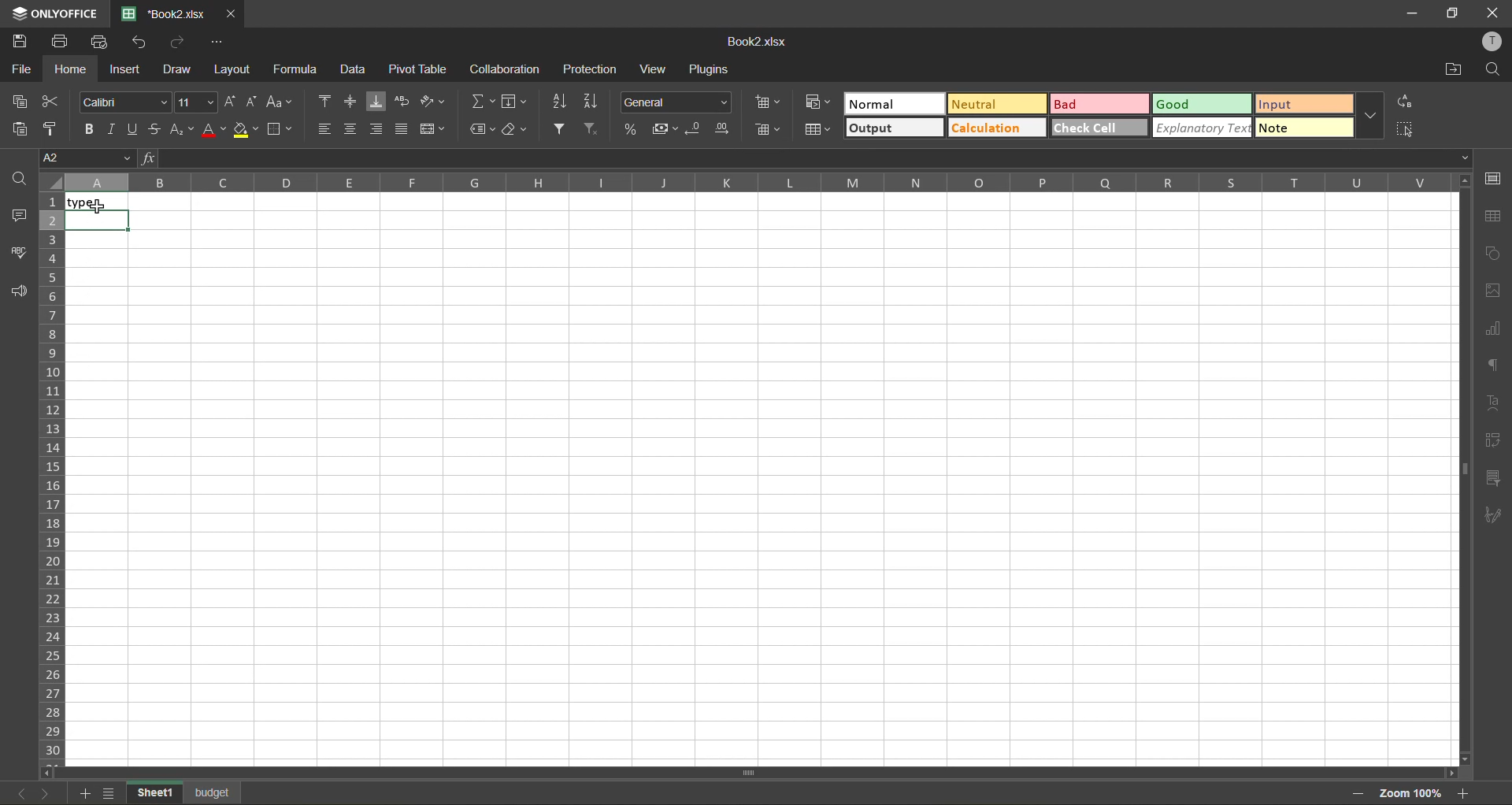 The image size is (1512, 805). What do you see at coordinates (101, 208) in the screenshot?
I see `cursor` at bounding box center [101, 208].